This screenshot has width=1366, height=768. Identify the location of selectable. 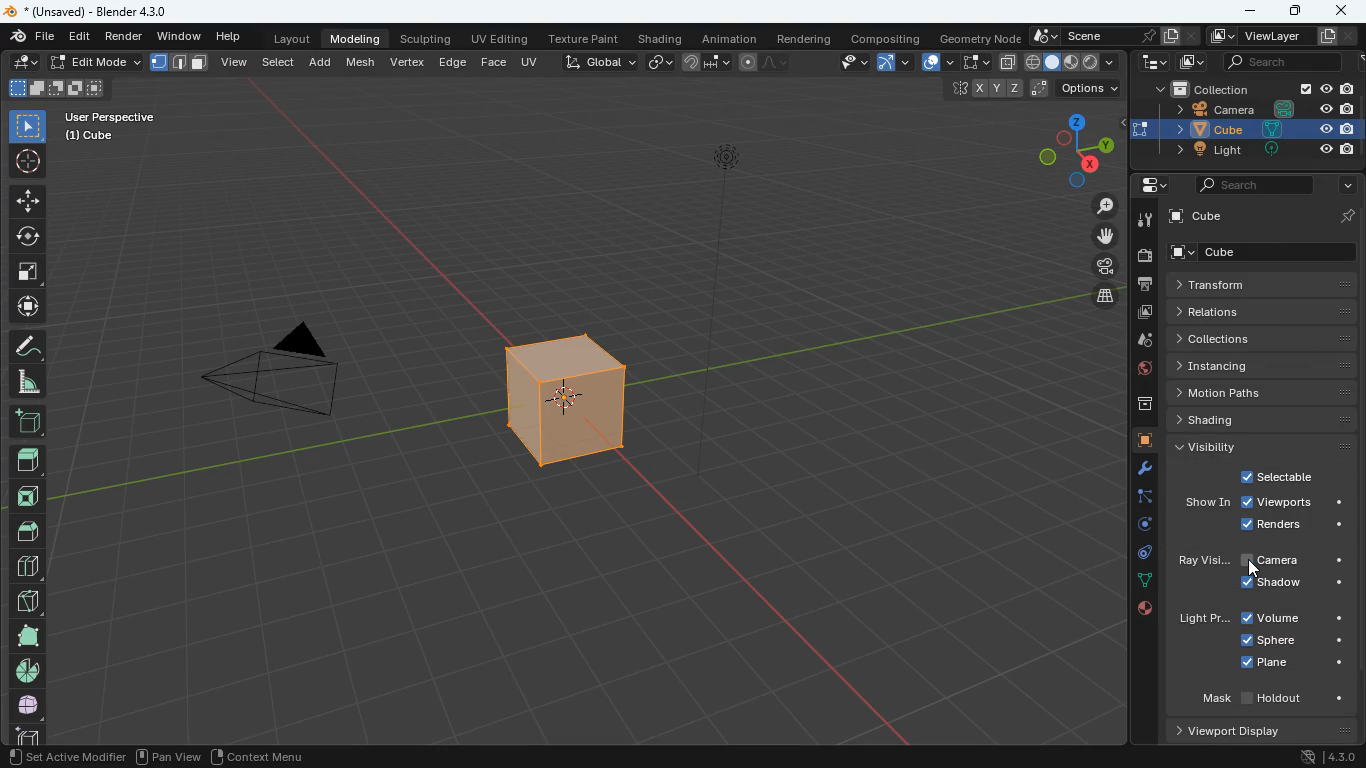
(1276, 476).